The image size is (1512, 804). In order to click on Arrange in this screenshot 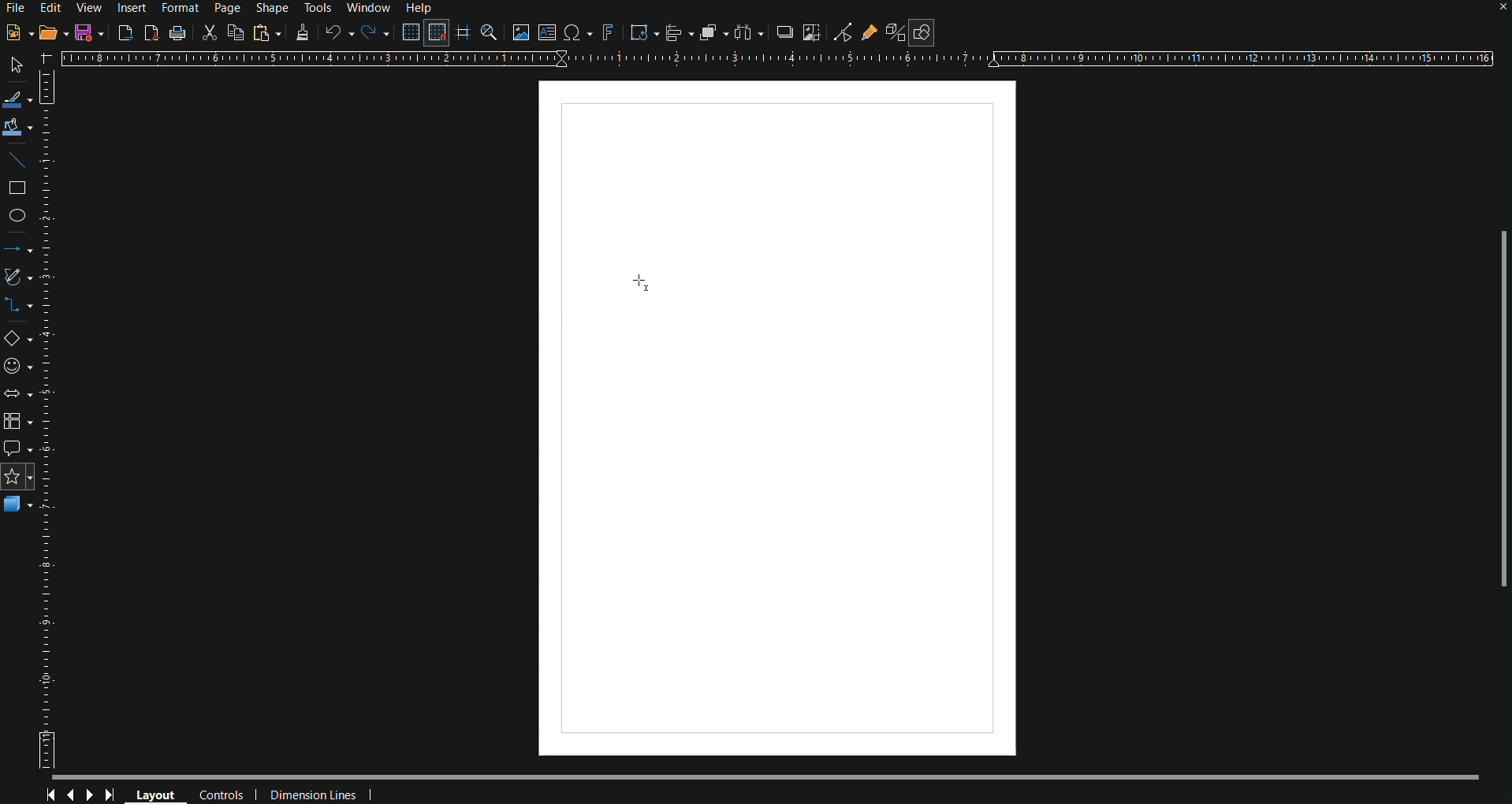, I will do `click(712, 35)`.